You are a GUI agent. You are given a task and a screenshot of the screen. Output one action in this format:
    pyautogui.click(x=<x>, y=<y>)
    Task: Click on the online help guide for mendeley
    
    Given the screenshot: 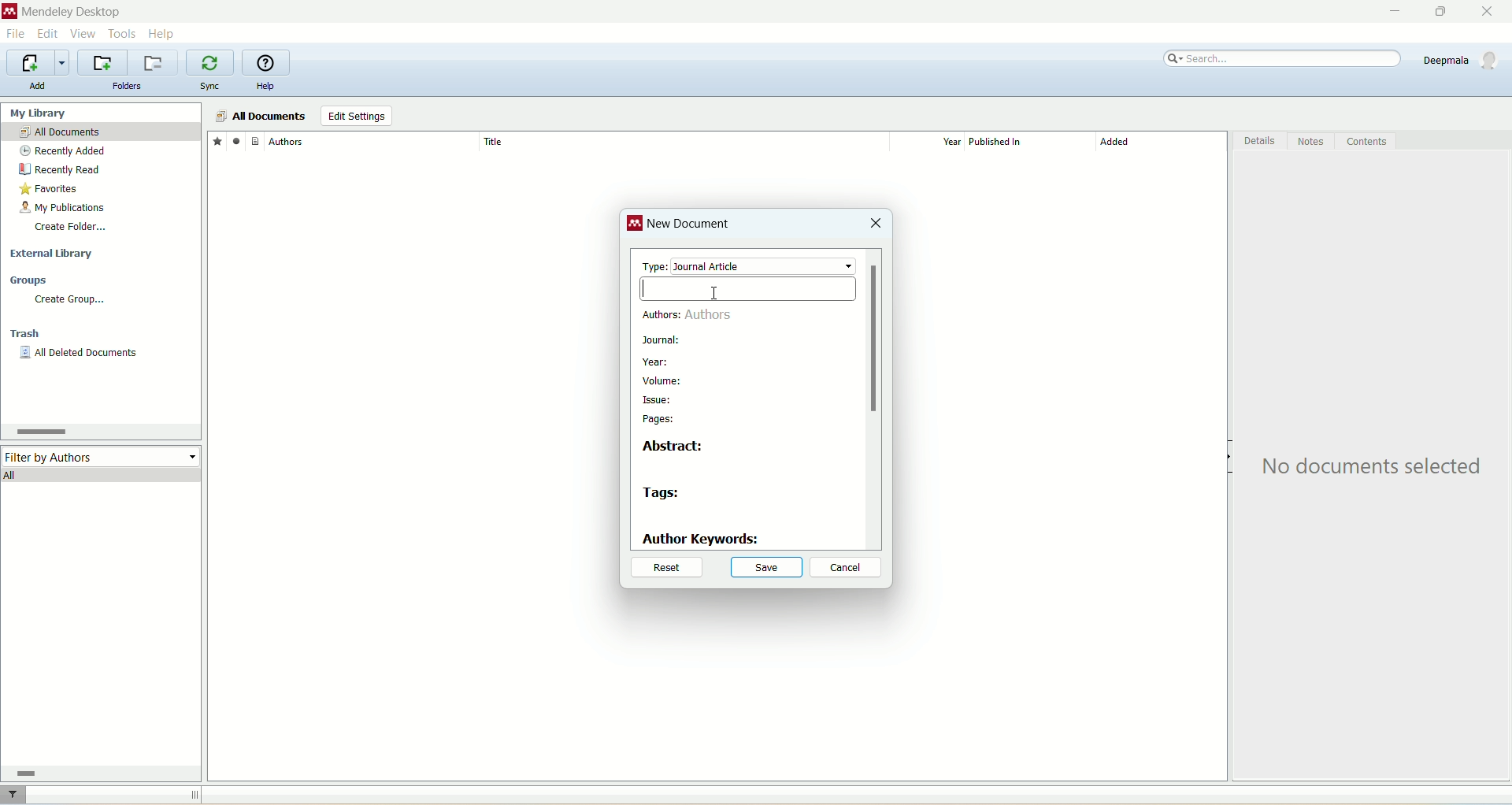 What is the action you would take?
    pyautogui.click(x=267, y=63)
    